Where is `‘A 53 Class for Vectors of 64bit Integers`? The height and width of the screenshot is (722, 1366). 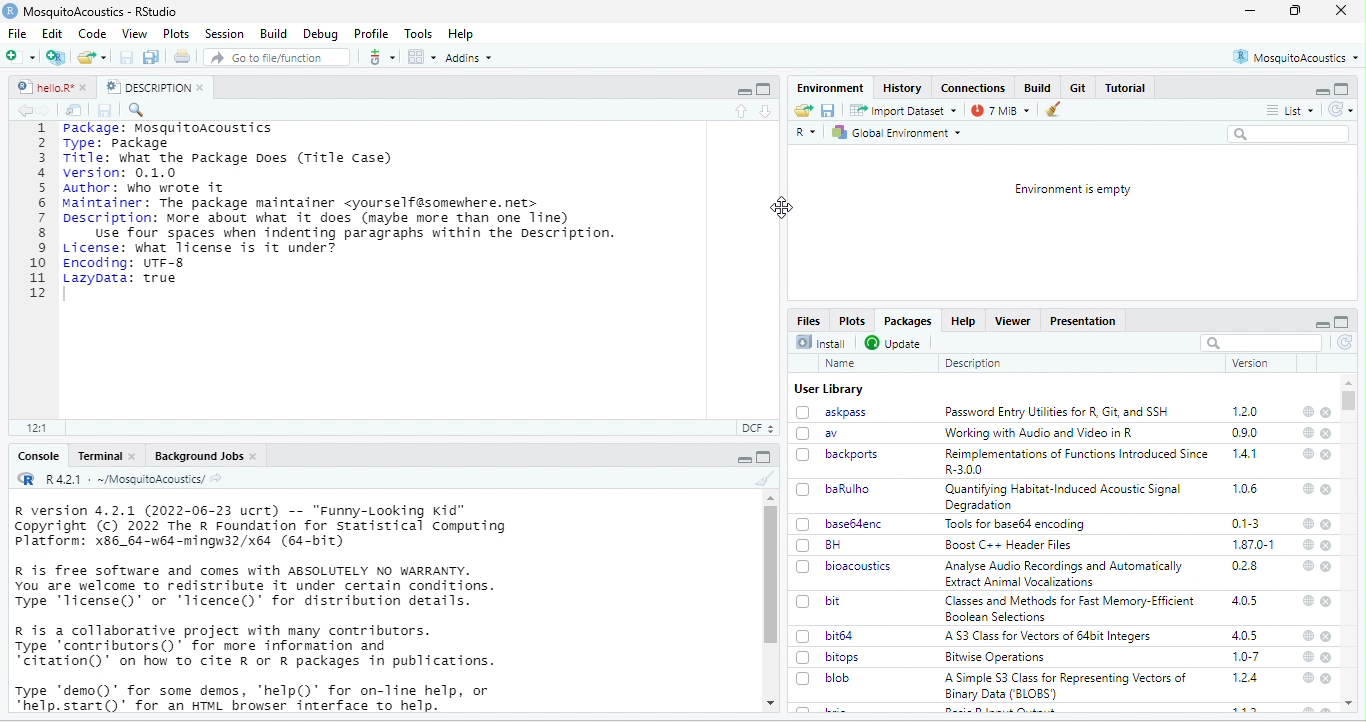 ‘A 53 Class for Vectors of 64bit Integers is located at coordinates (1052, 636).